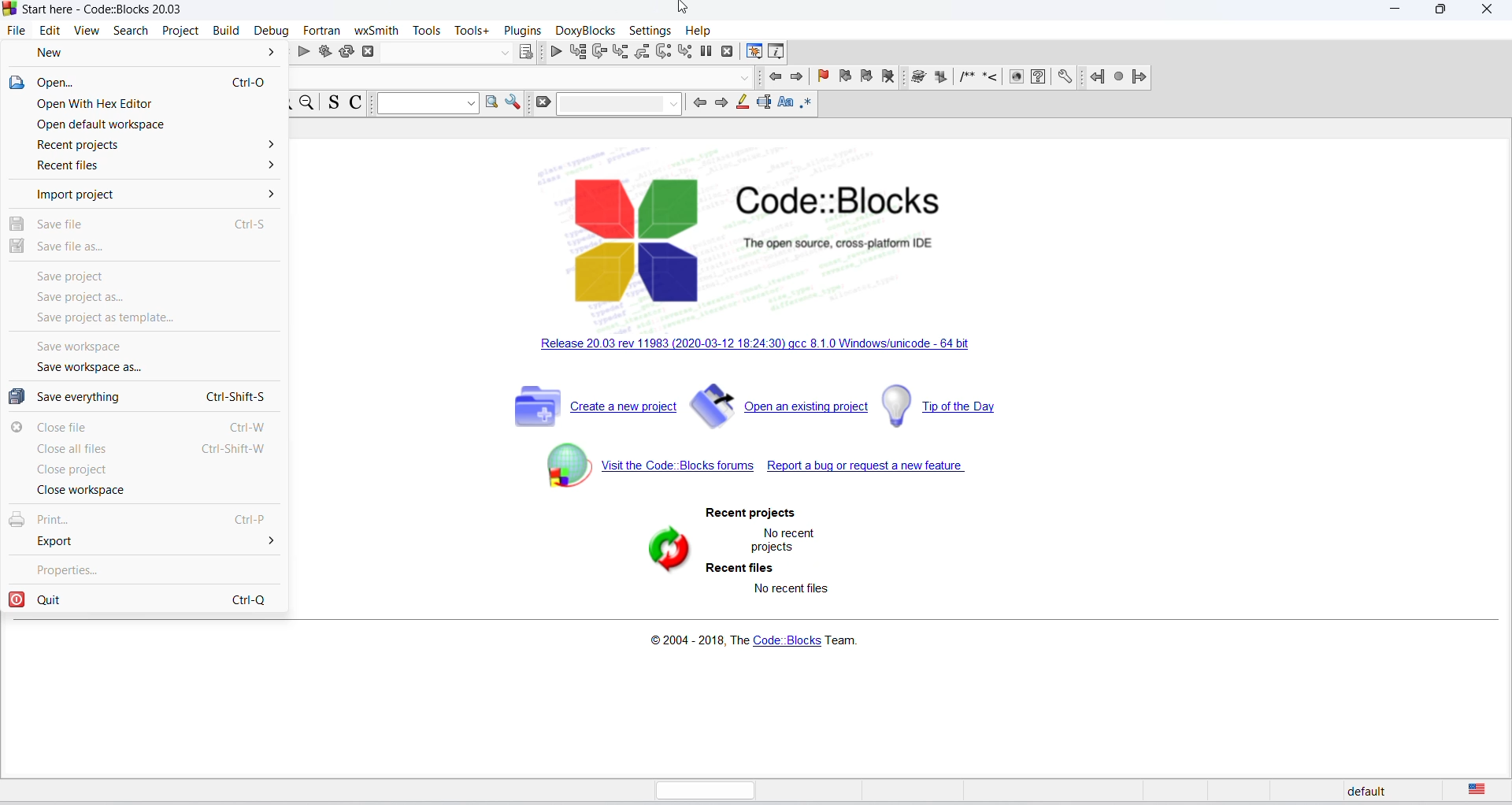 The image size is (1512, 805). What do you see at coordinates (143, 248) in the screenshot?
I see `save file as` at bounding box center [143, 248].